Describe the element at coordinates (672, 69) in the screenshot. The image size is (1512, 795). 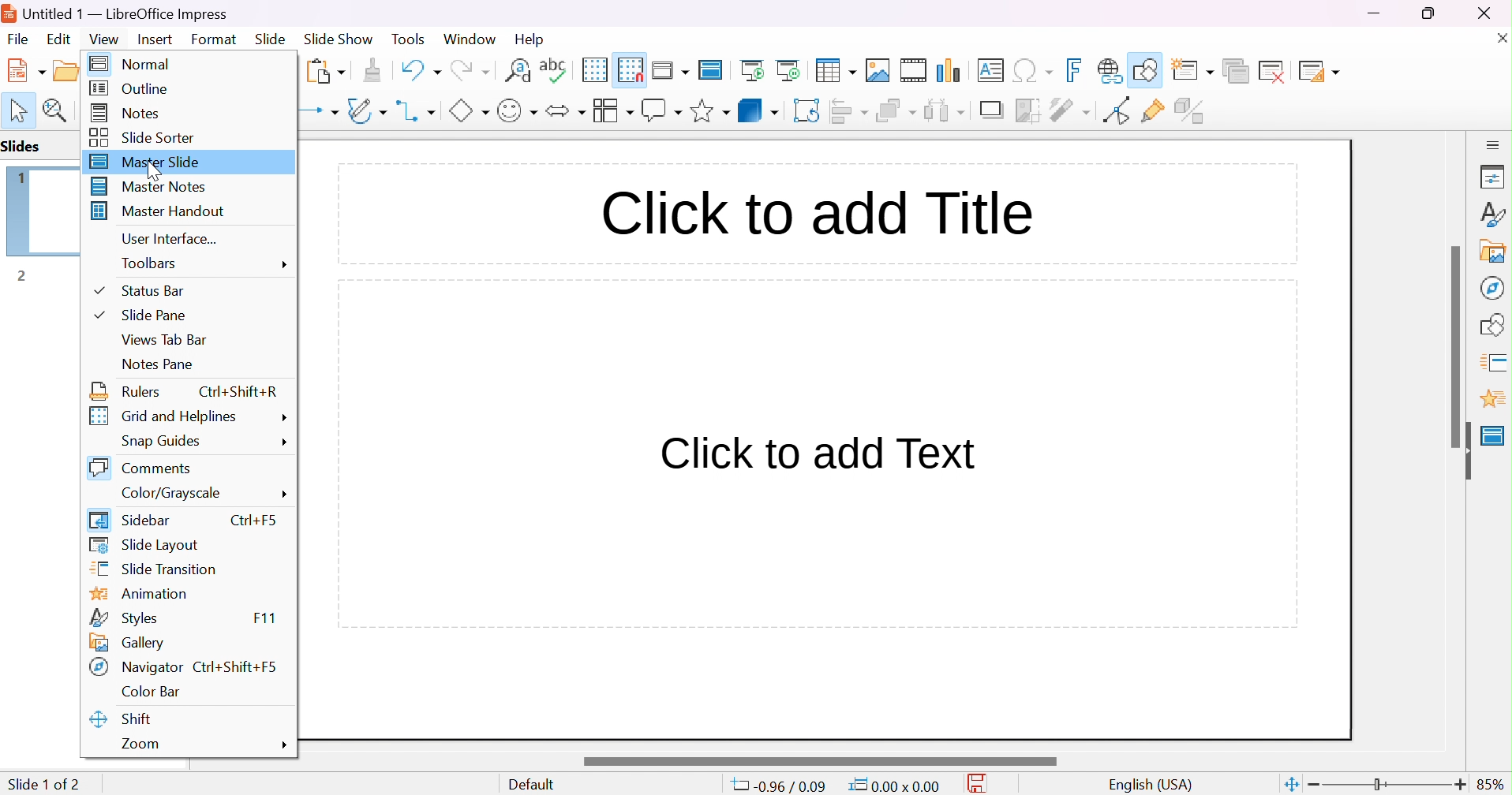
I see `display views` at that location.